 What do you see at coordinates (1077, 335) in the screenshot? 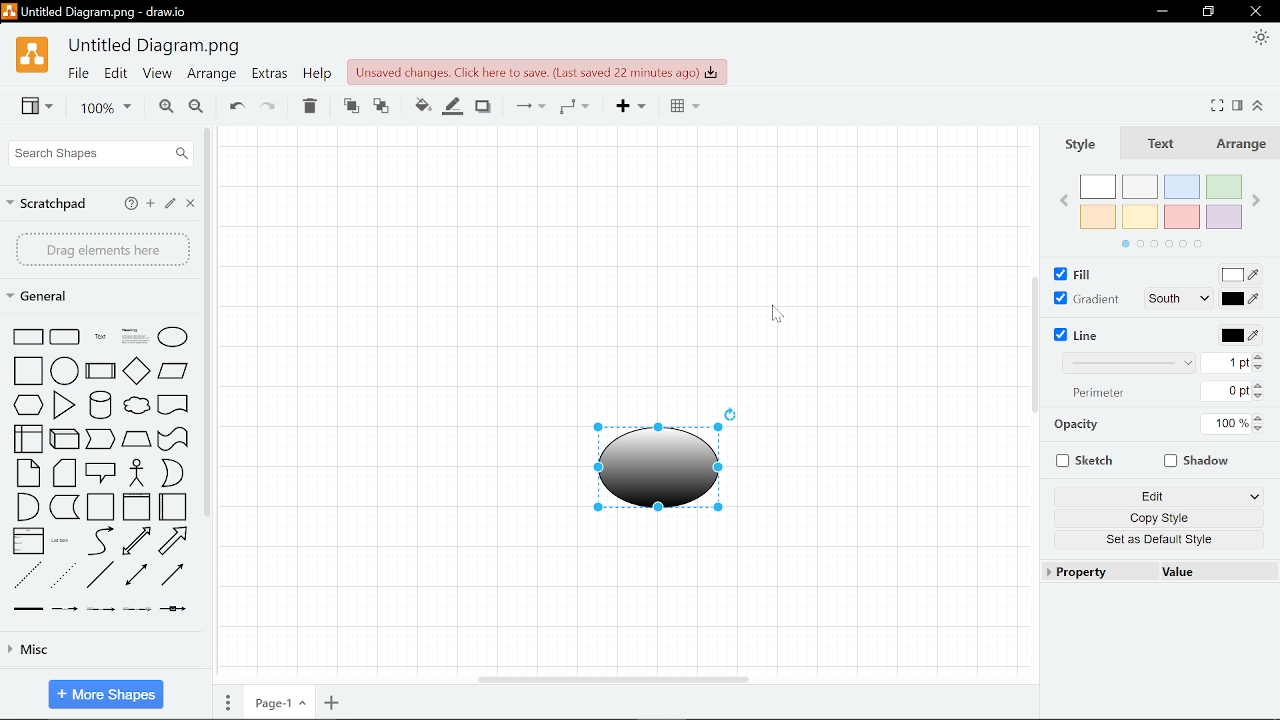
I see `Line` at bounding box center [1077, 335].